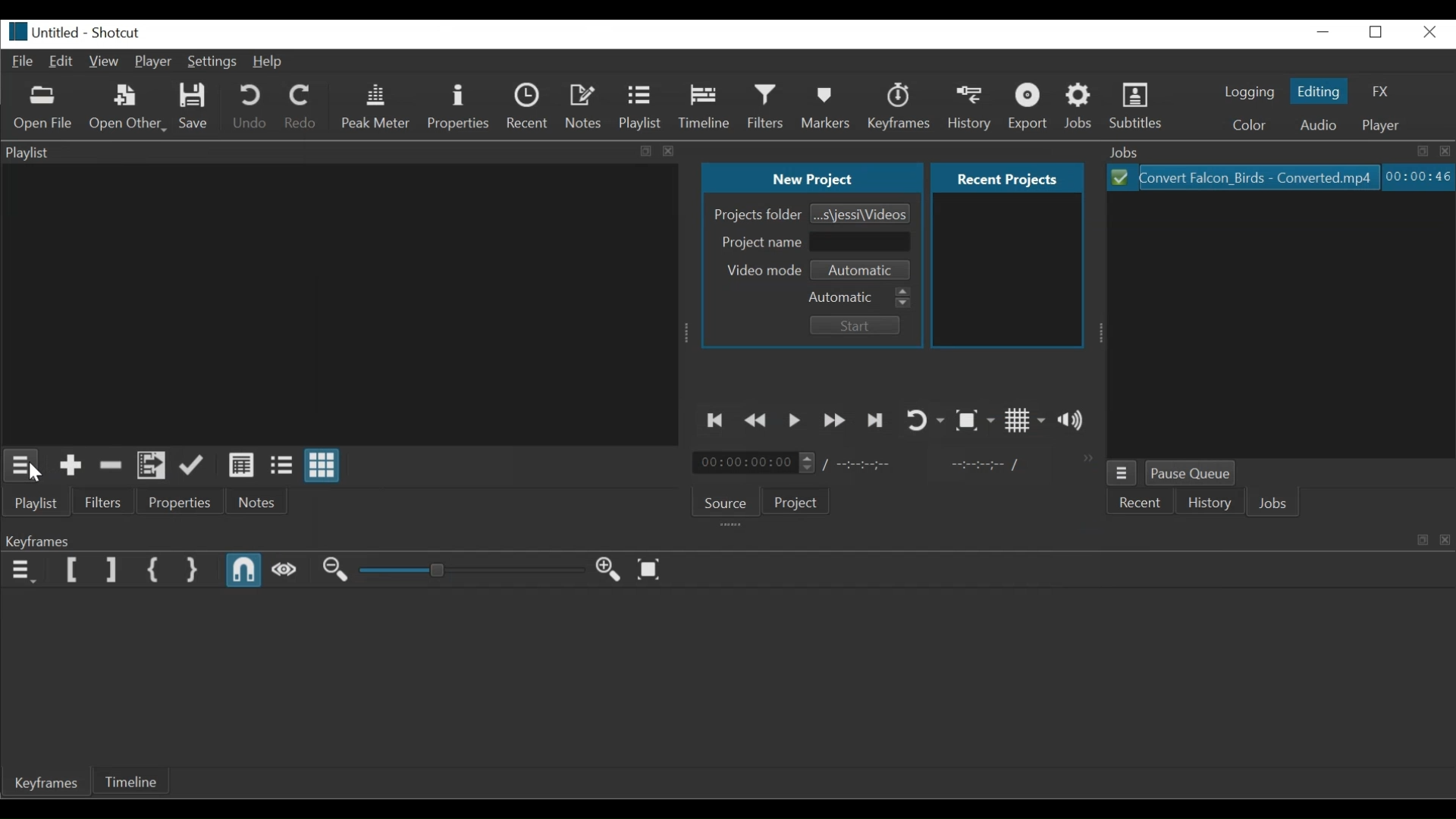 This screenshot has height=819, width=1456. I want to click on Pause Queue, so click(1191, 473).